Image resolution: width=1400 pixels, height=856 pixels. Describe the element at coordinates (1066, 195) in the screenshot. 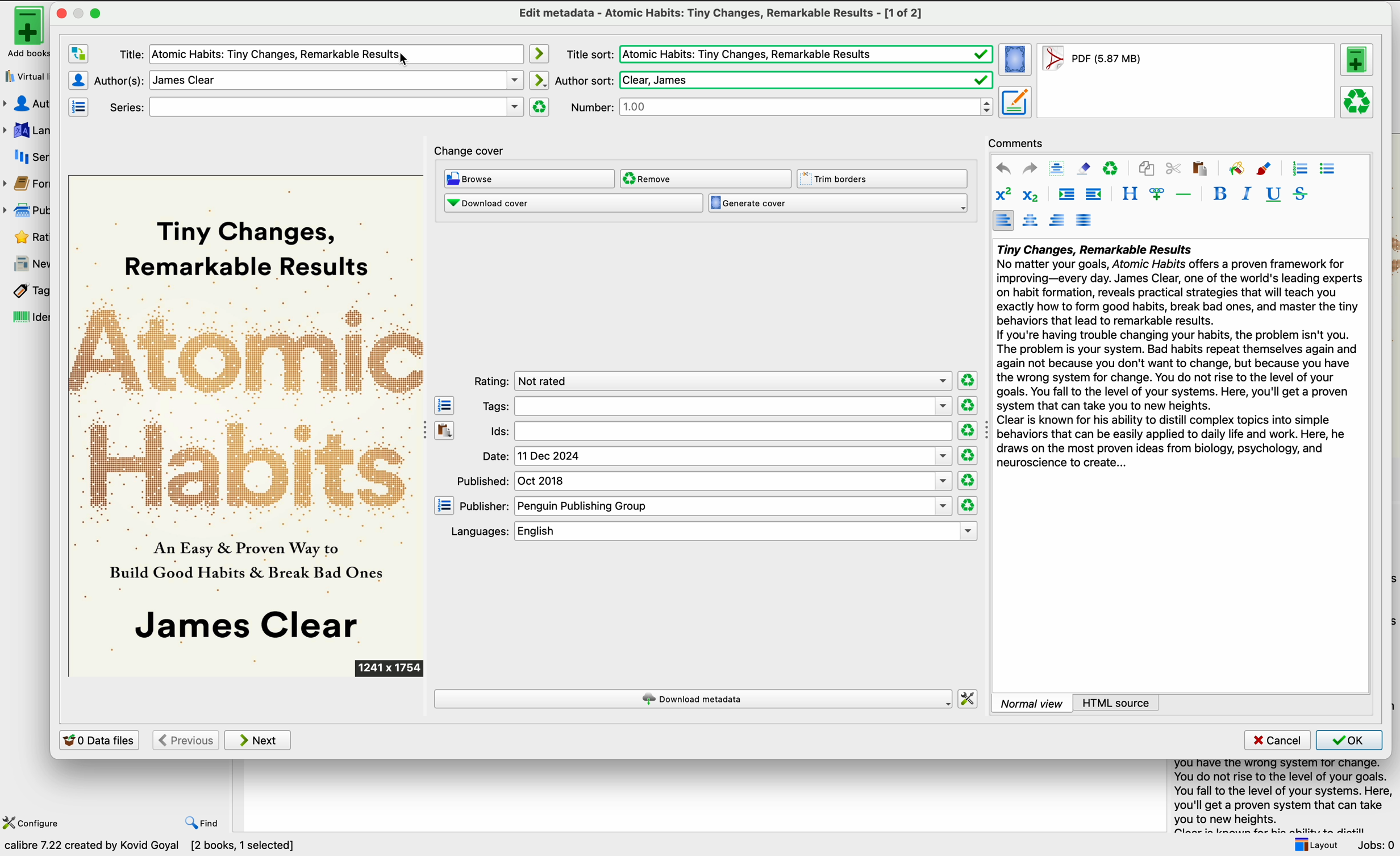

I see `increase indentation` at that location.